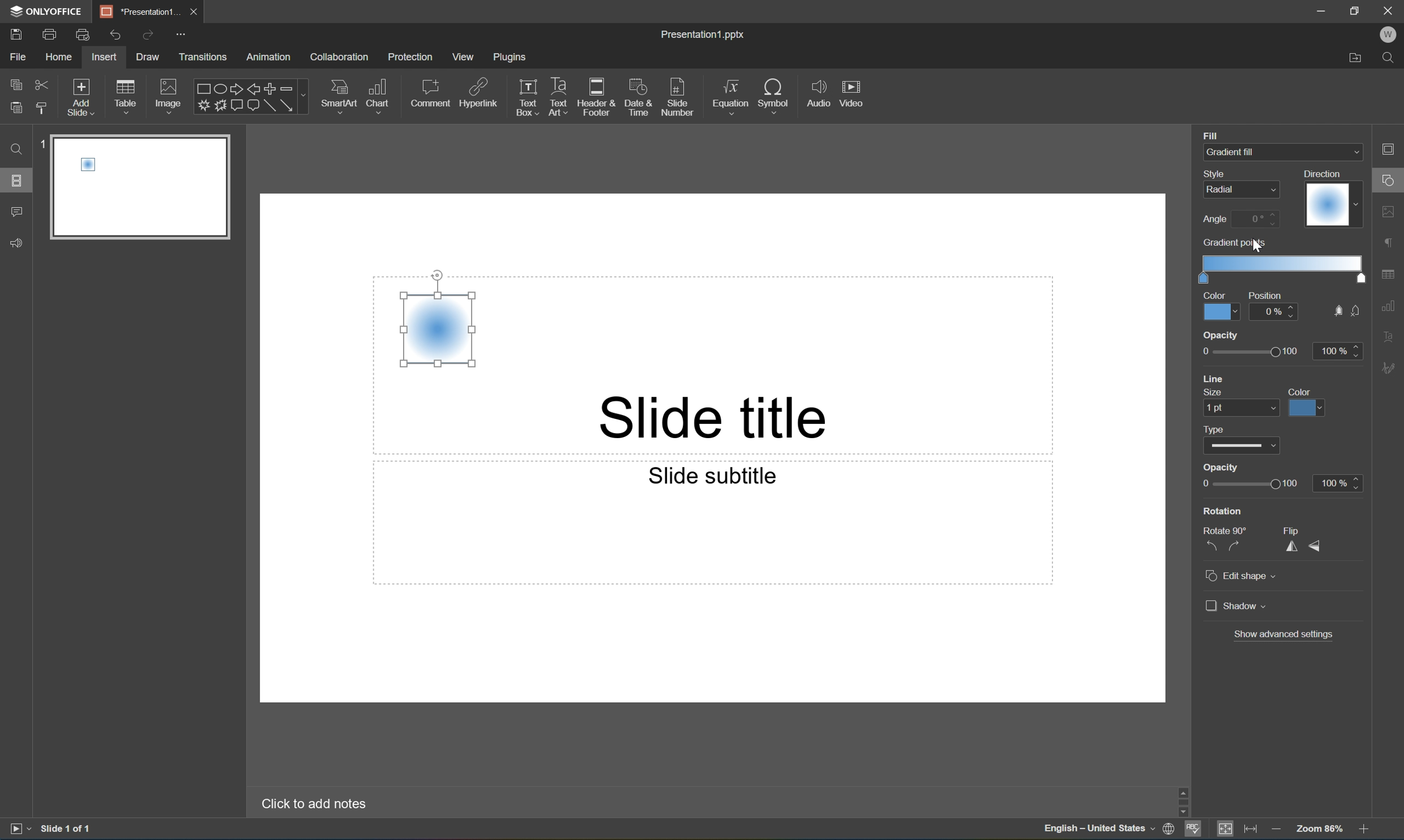  Describe the element at coordinates (252, 106) in the screenshot. I see `` at that location.